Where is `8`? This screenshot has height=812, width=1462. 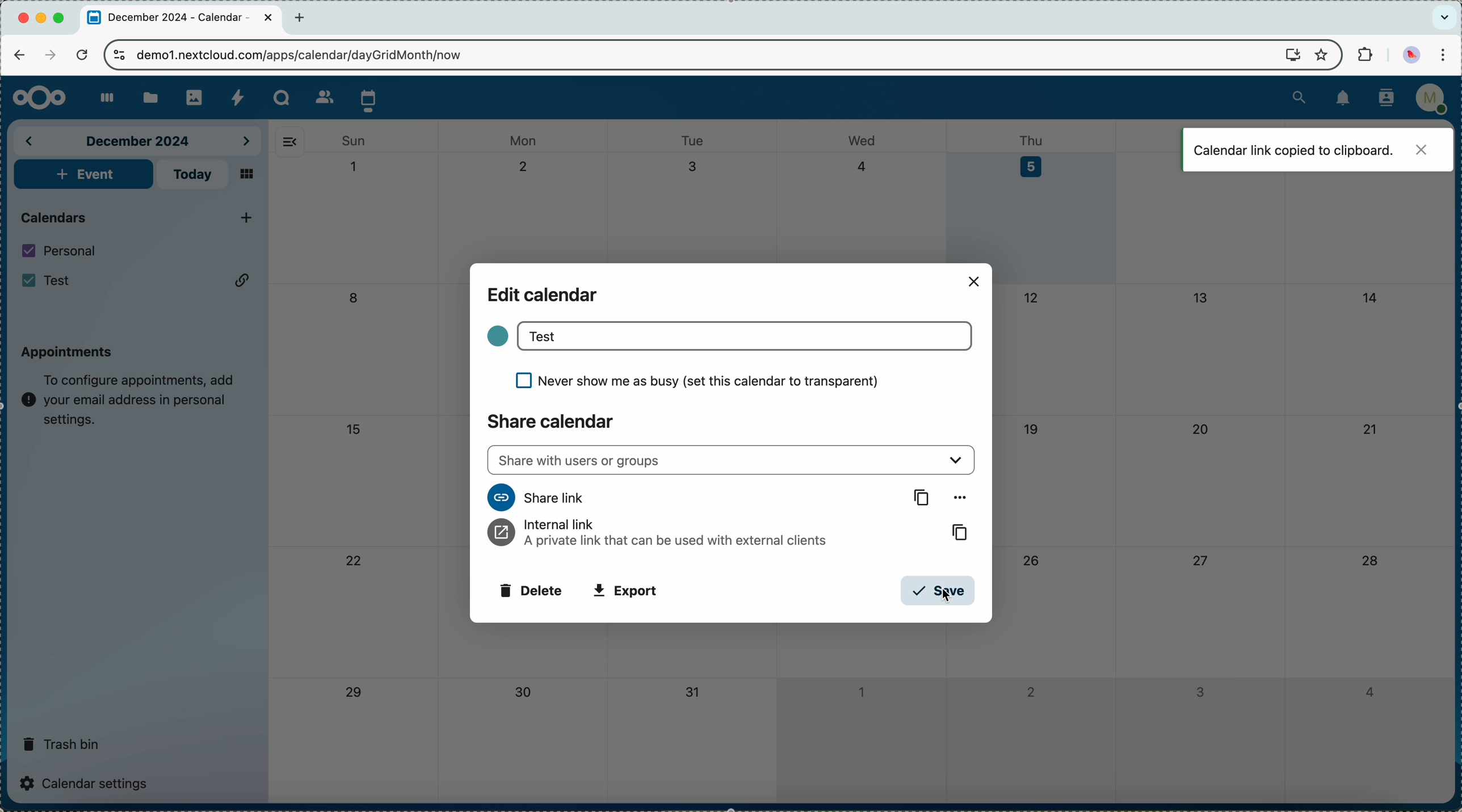
8 is located at coordinates (354, 299).